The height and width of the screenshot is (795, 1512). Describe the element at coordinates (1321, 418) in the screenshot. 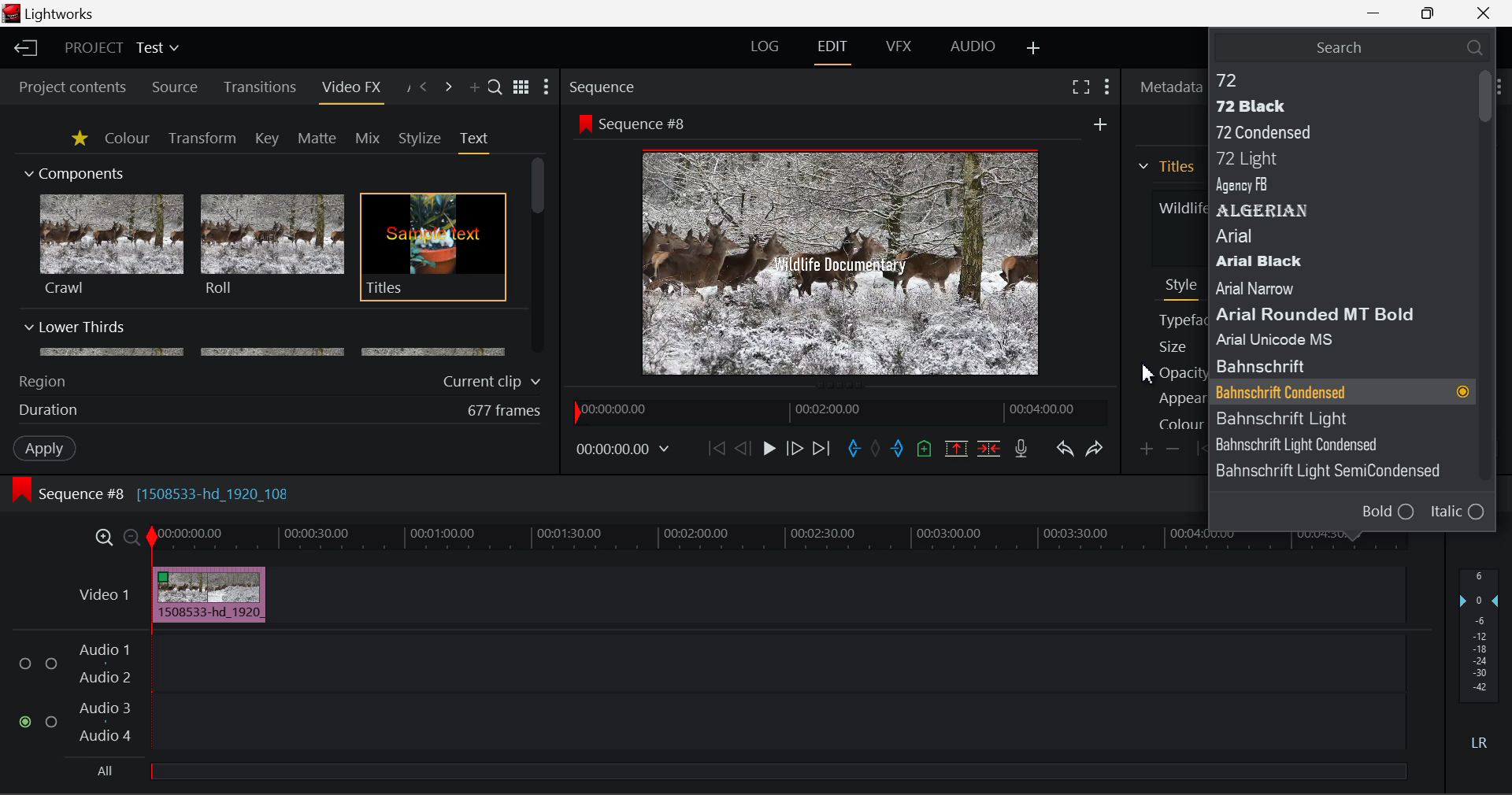

I see `Bahnschrift` at that location.